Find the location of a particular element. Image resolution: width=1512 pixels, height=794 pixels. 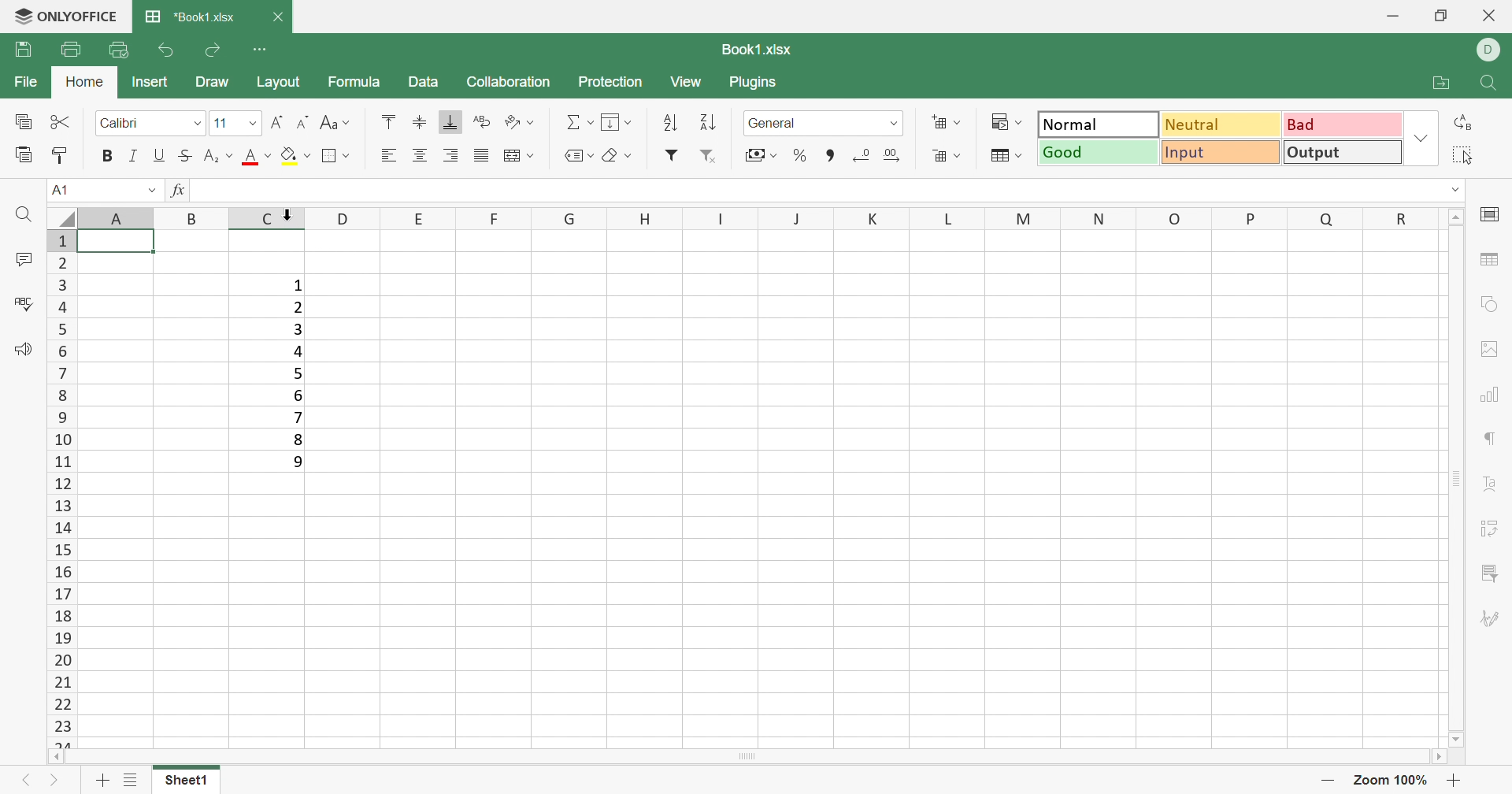

L is located at coordinates (946, 220).